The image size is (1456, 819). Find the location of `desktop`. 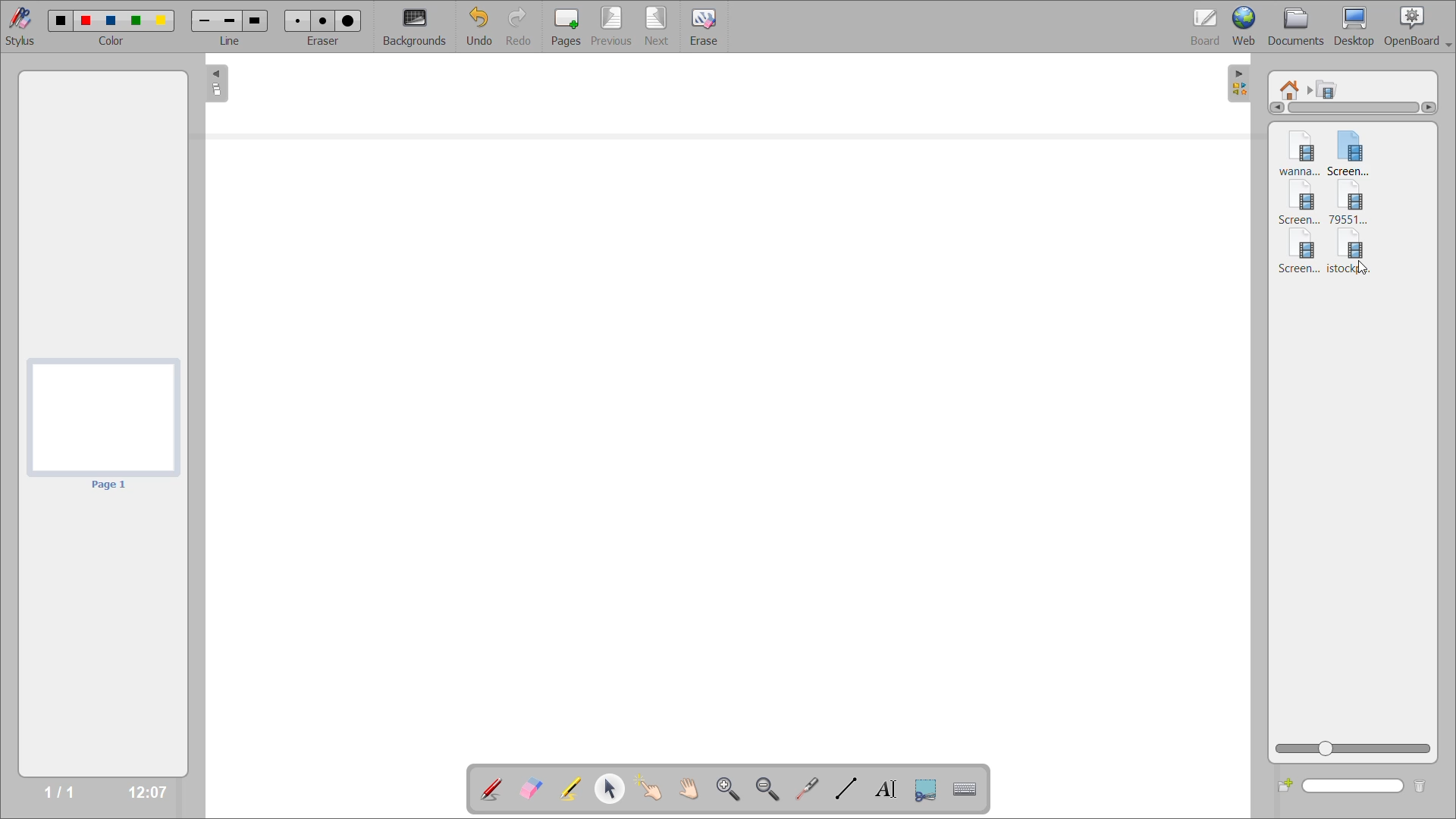

desktop is located at coordinates (1357, 26).